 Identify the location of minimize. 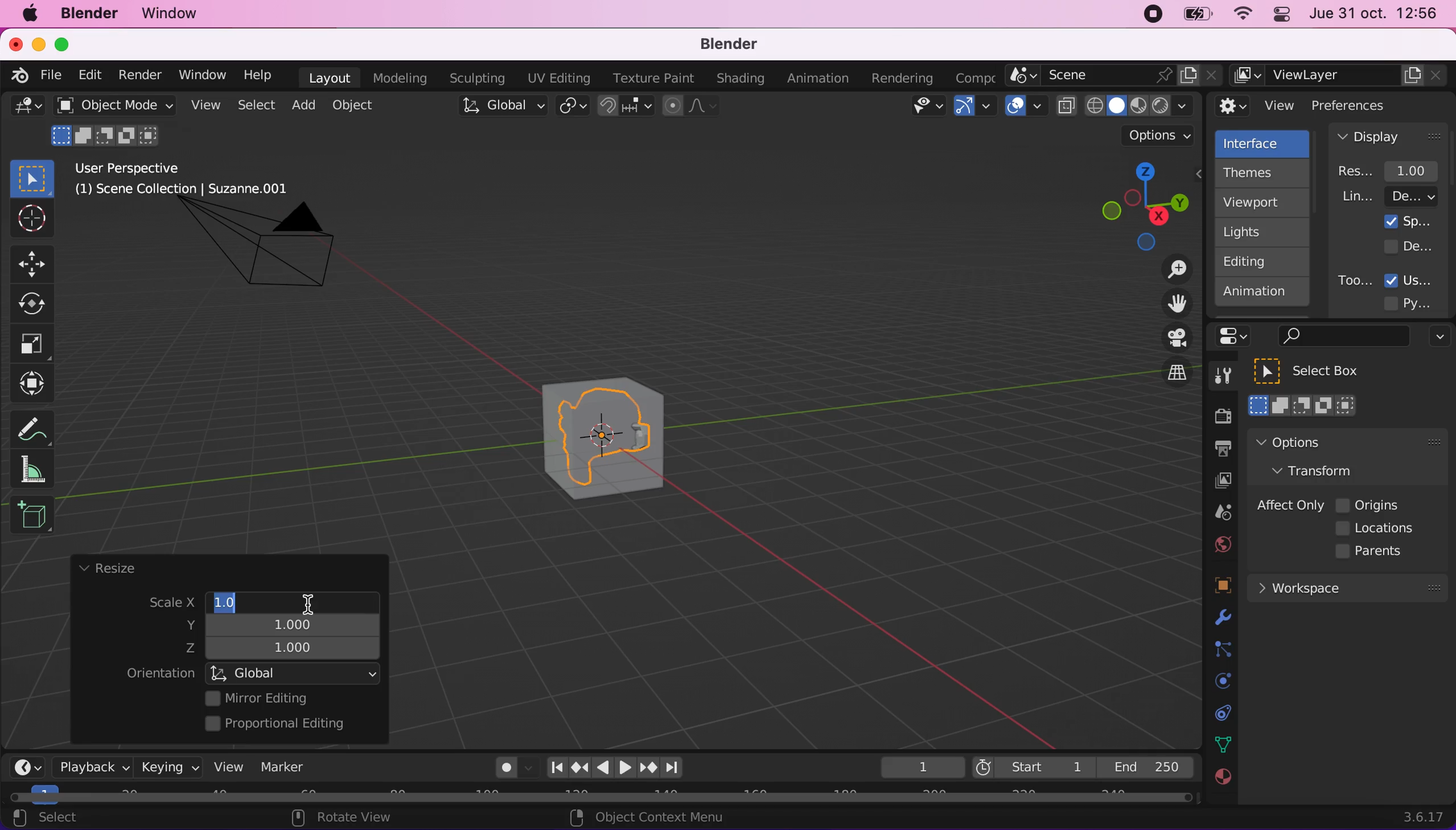
(36, 43).